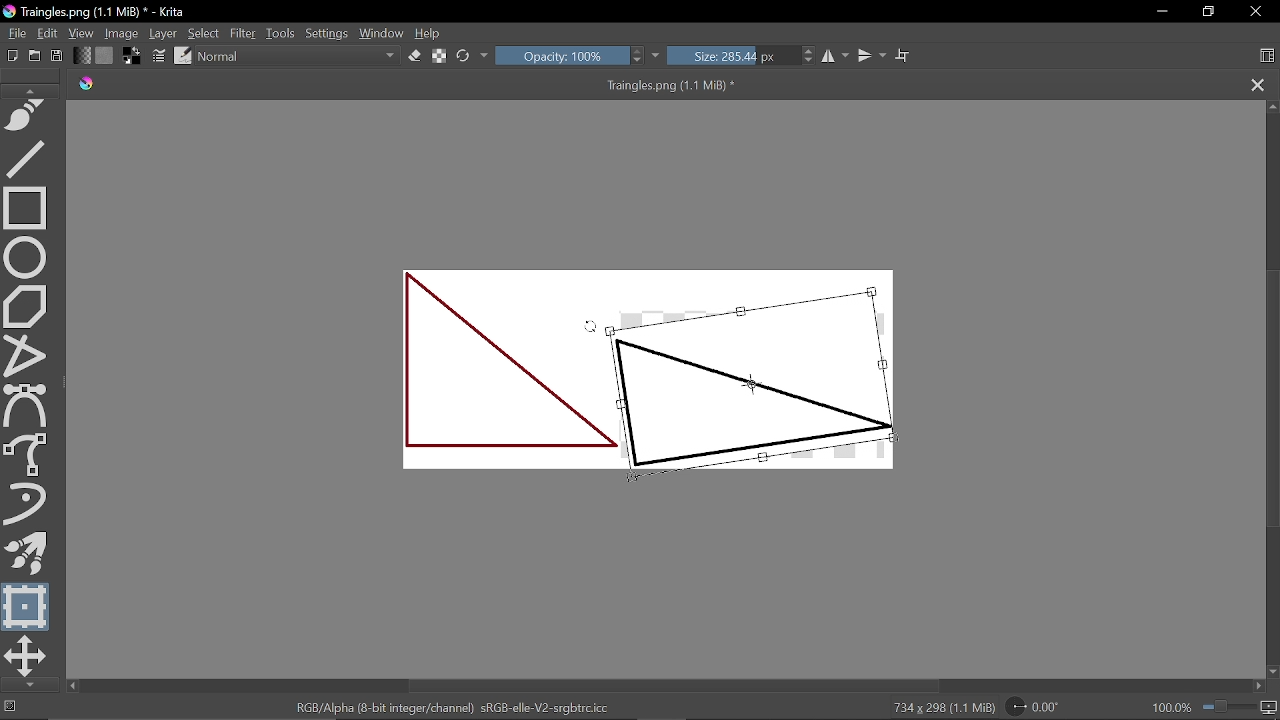 Image resolution: width=1280 pixels, height=720 pixels. What do you see at coordinates (72, 686) in the screenshot?
I see `Move left` at bounding box center [72, 686].